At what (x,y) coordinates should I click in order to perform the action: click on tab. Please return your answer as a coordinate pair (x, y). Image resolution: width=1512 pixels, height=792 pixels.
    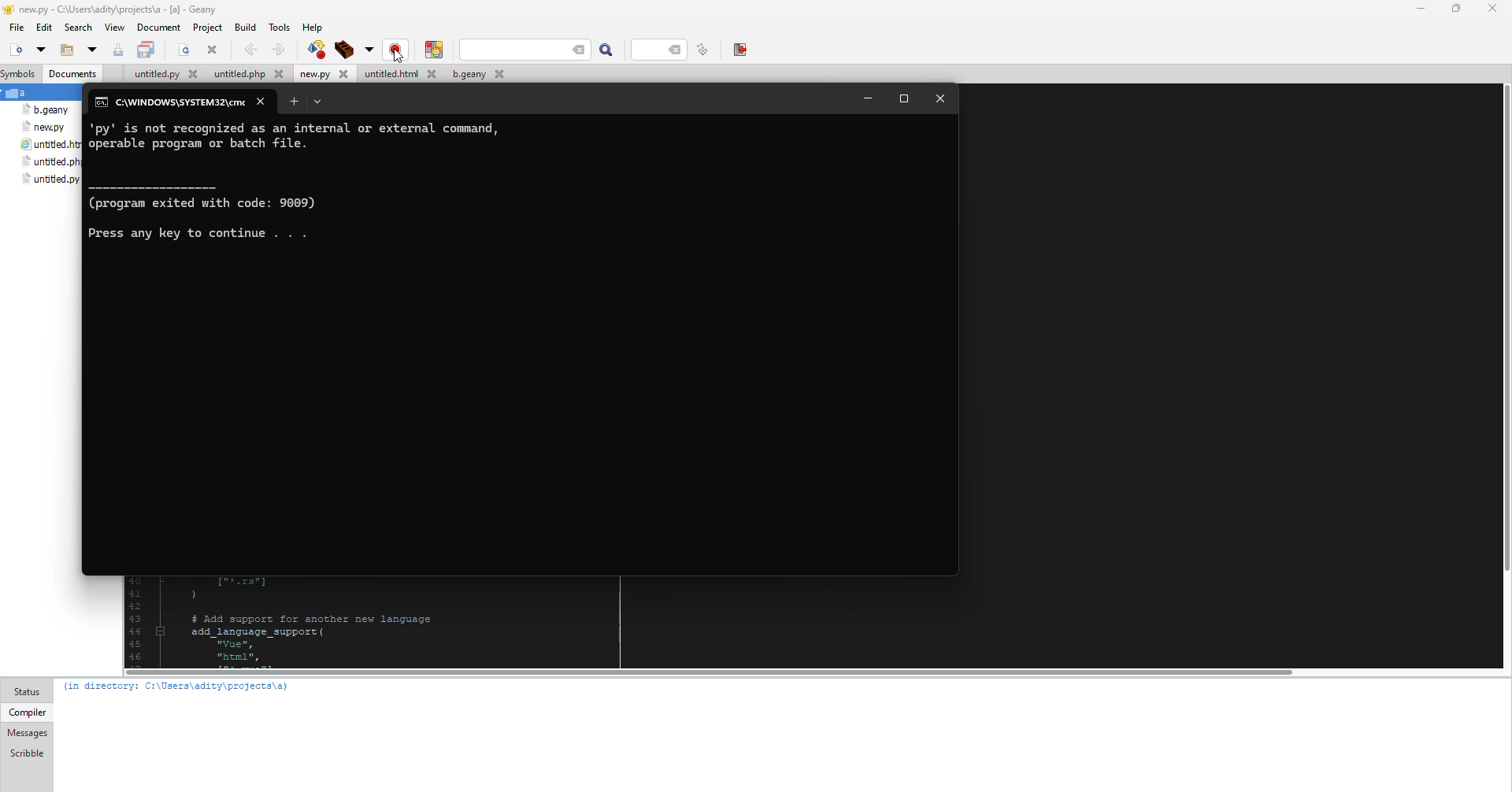
    Looking at the image, I should click on (318, 102).